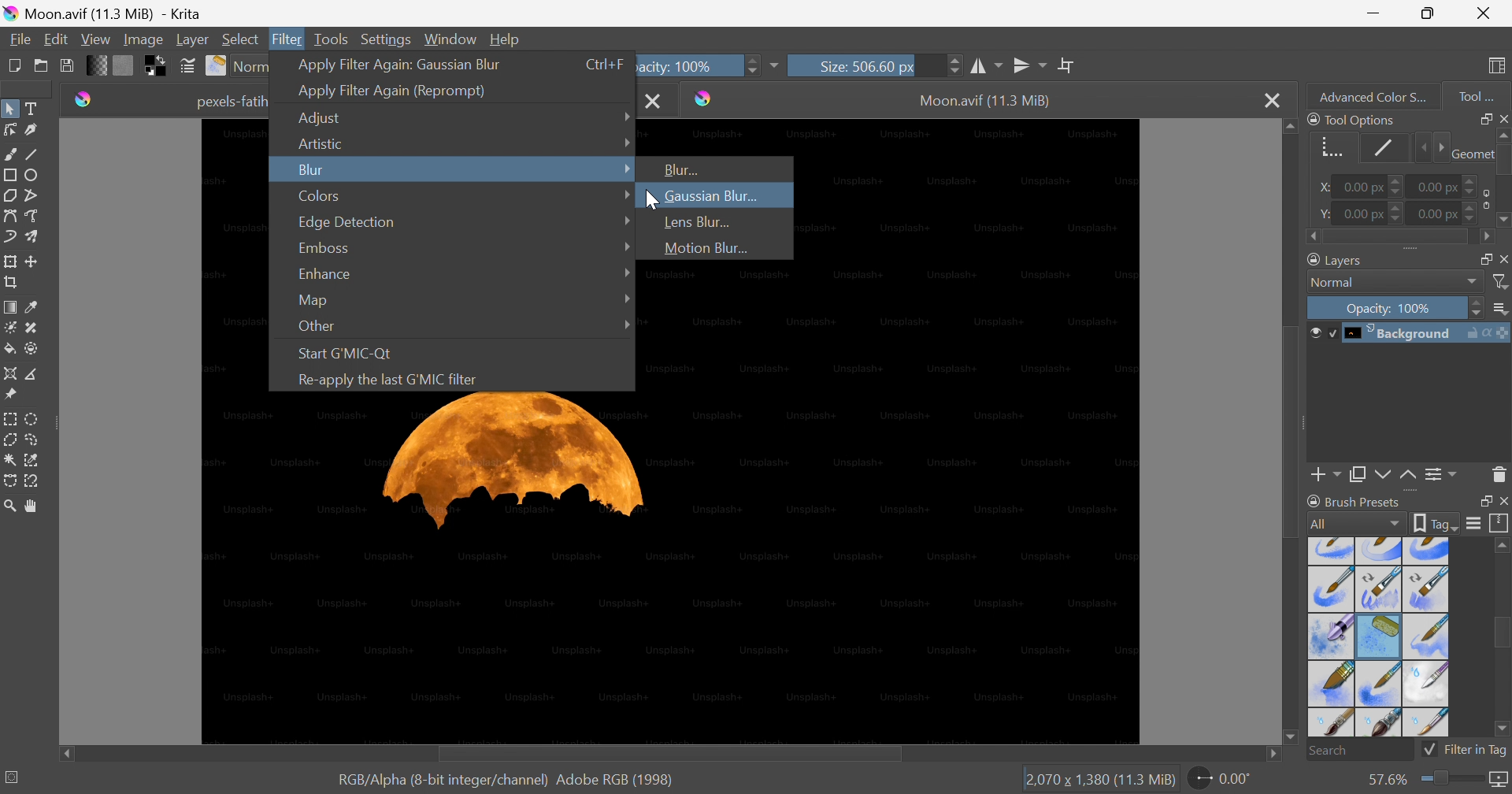 The height and width of the screenshot is (794, 1512). What do you see at coordinates (65, 751) in the screenshot?
I see `Scroll left` at bounding box center [65, 751].